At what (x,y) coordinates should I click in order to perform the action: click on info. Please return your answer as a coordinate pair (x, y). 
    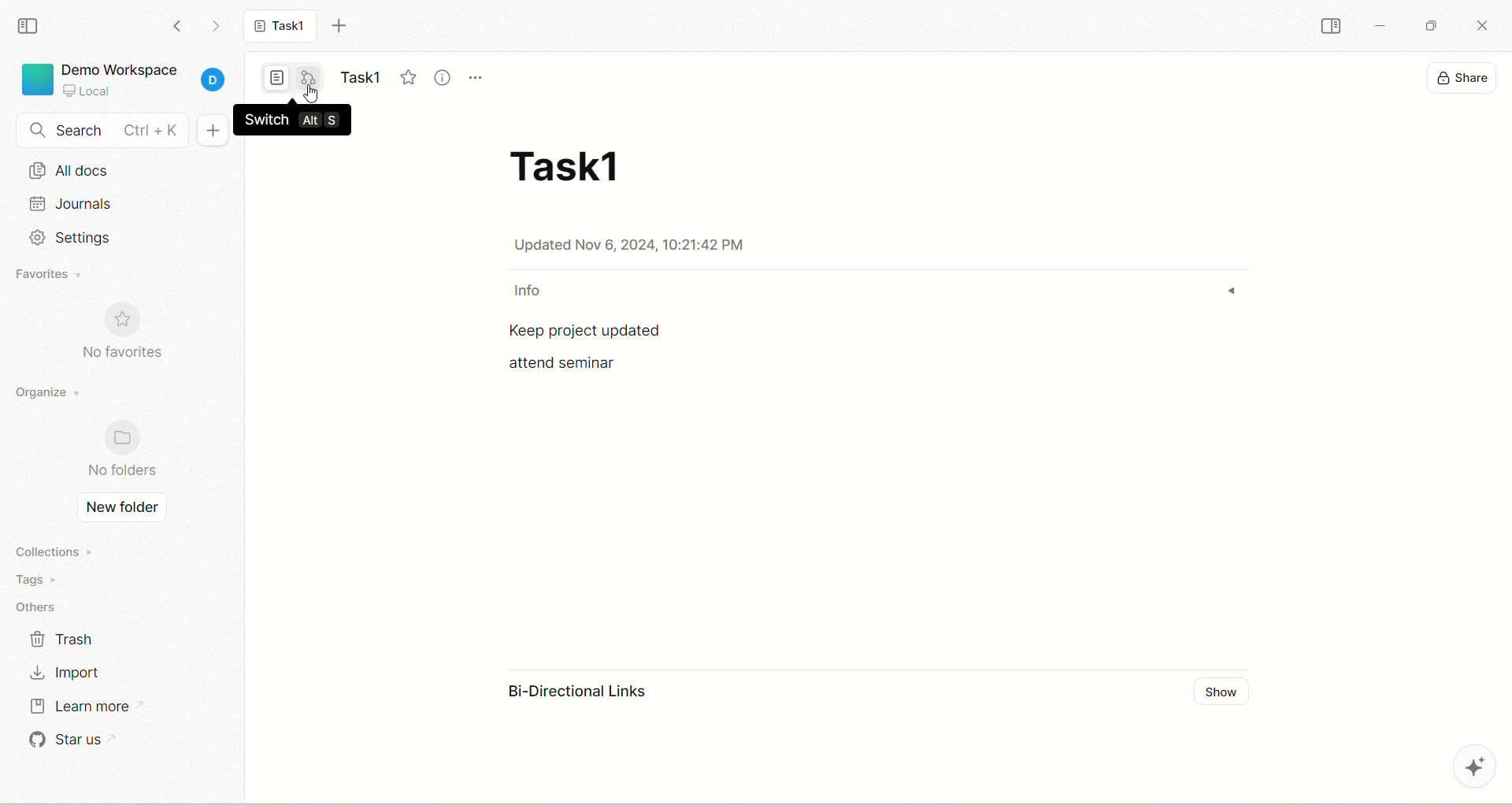
    Looking at the image, I should click on (514, 291).